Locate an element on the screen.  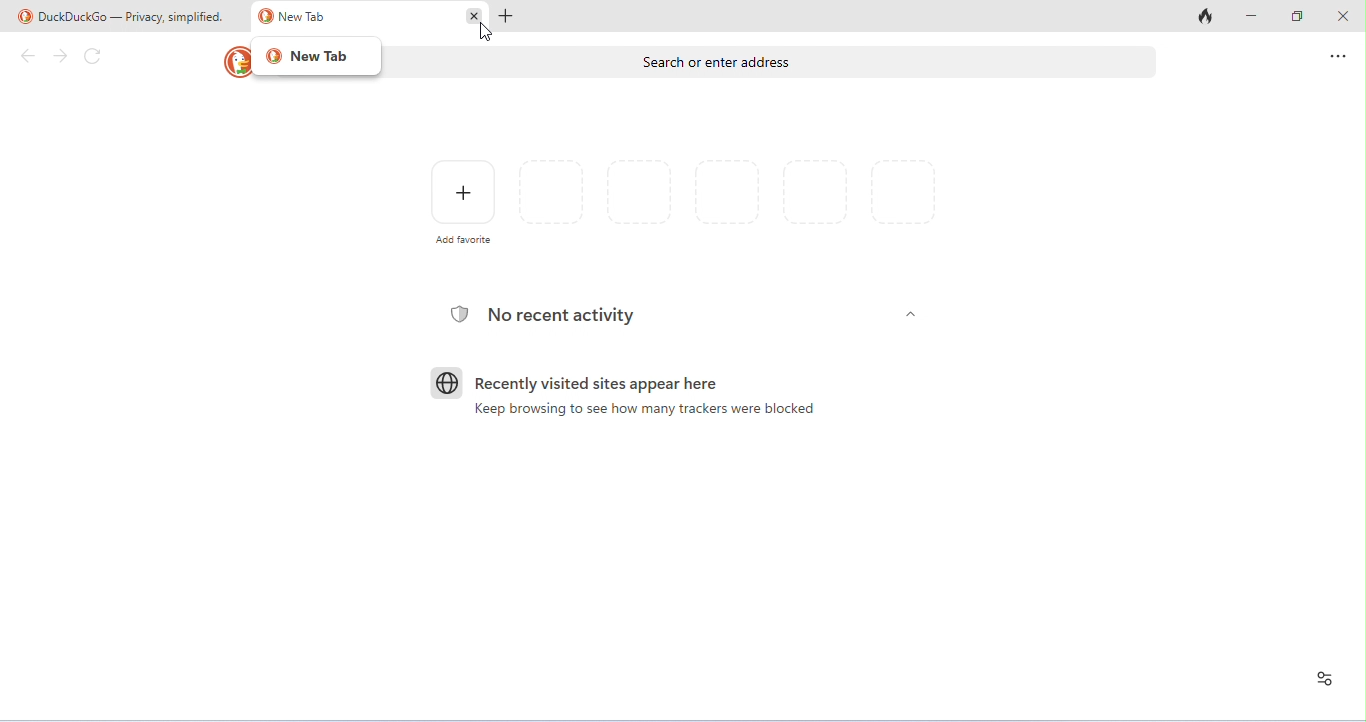
close is located at coordinates (473, 16).